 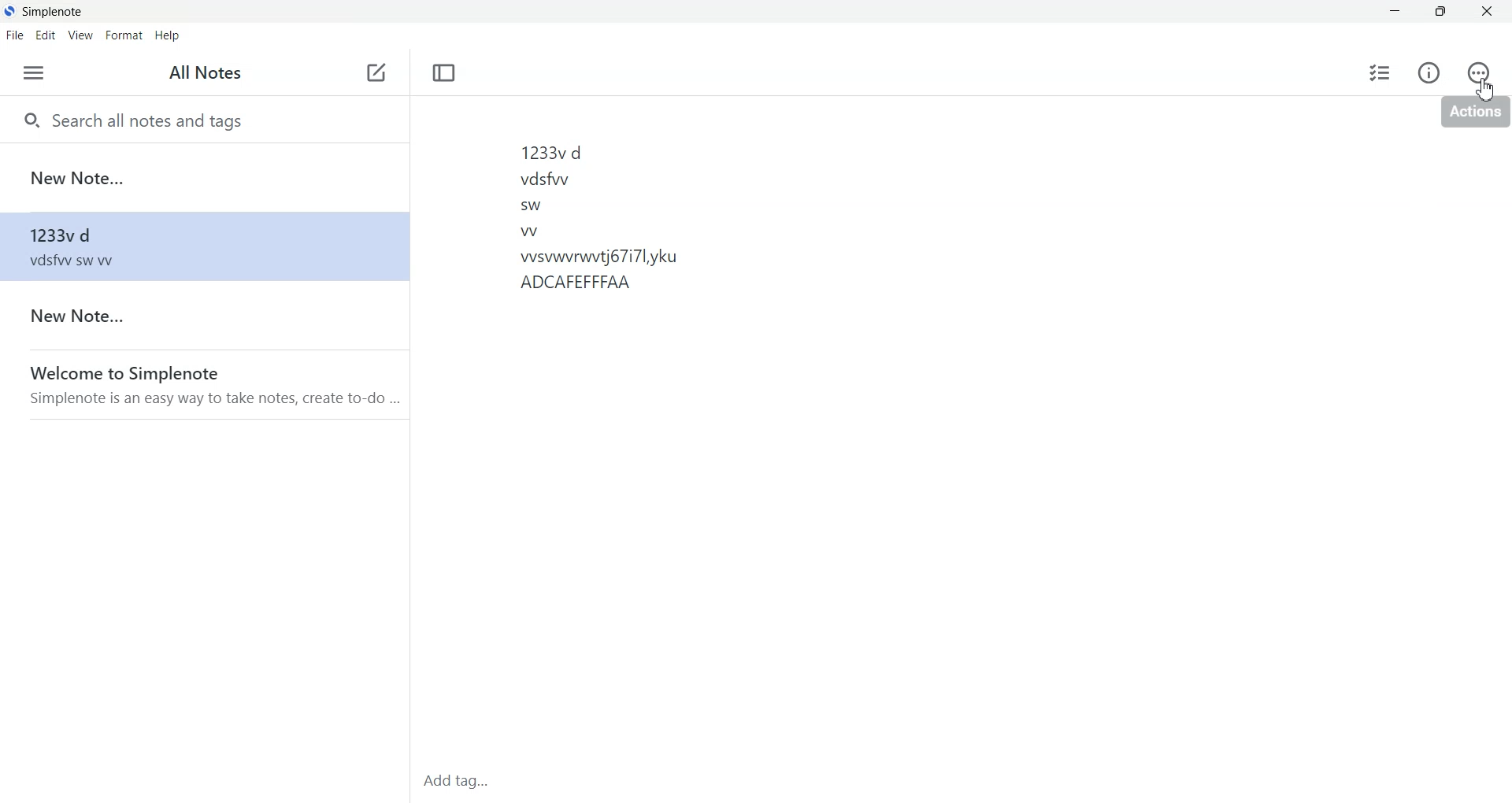 What do you see at coordinates (168, 37) in the screenshot?
I see `Help` at bounding box center [168, 37].